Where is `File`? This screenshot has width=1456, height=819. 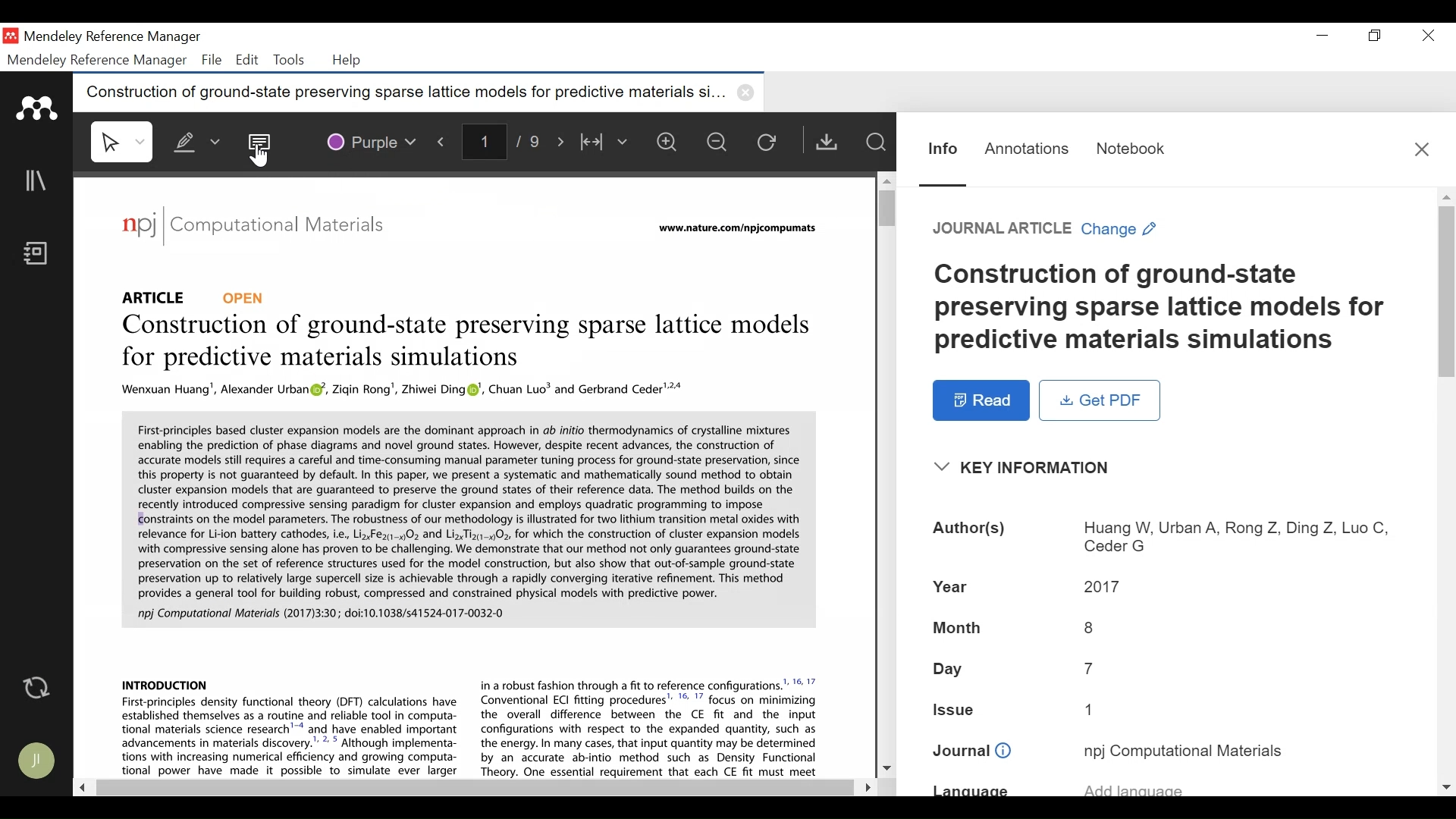 File is located at coordinates (212, 60).